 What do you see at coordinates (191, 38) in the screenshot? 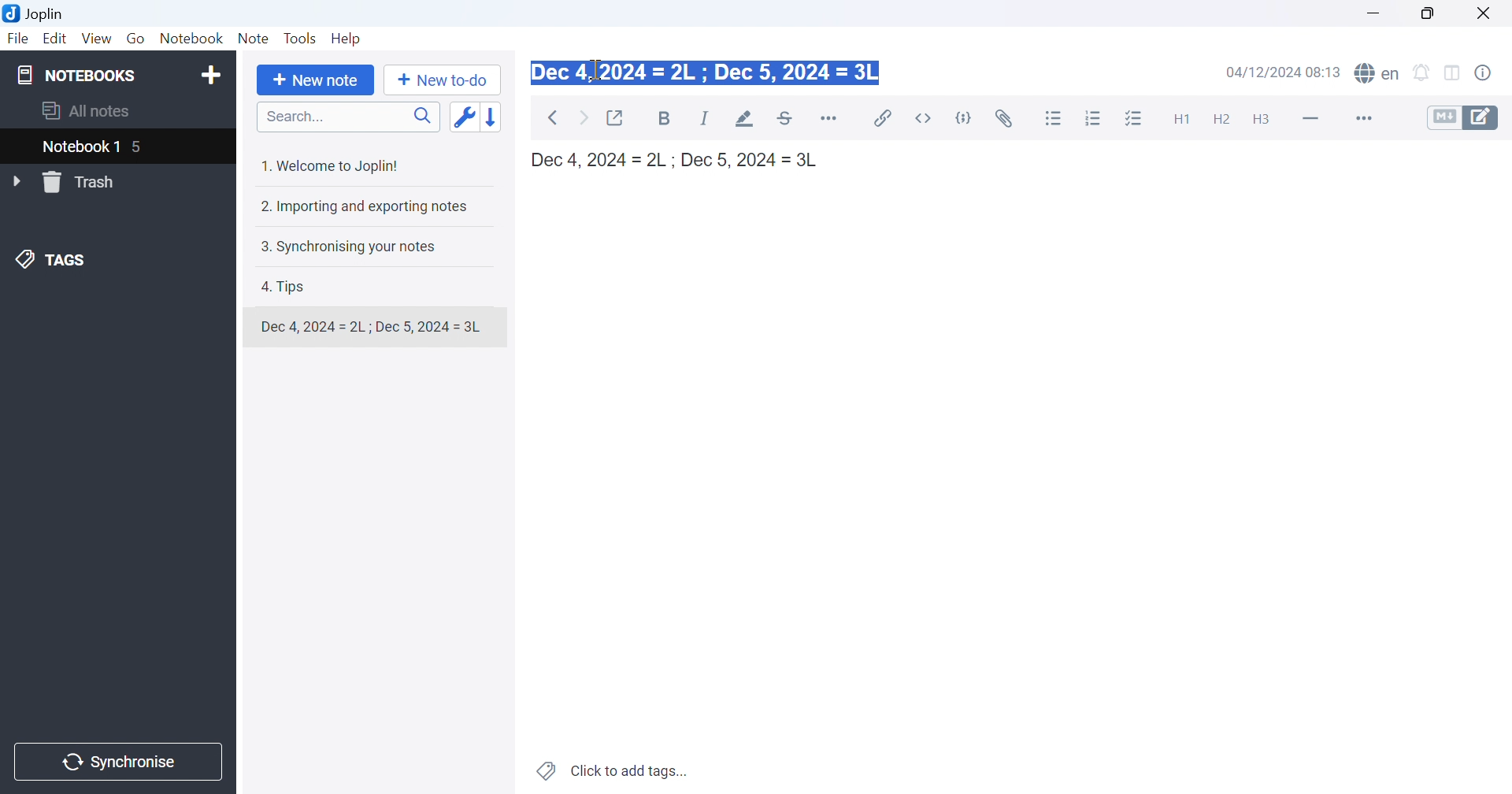
I see `Notebook` at bounding box center [191, 38].